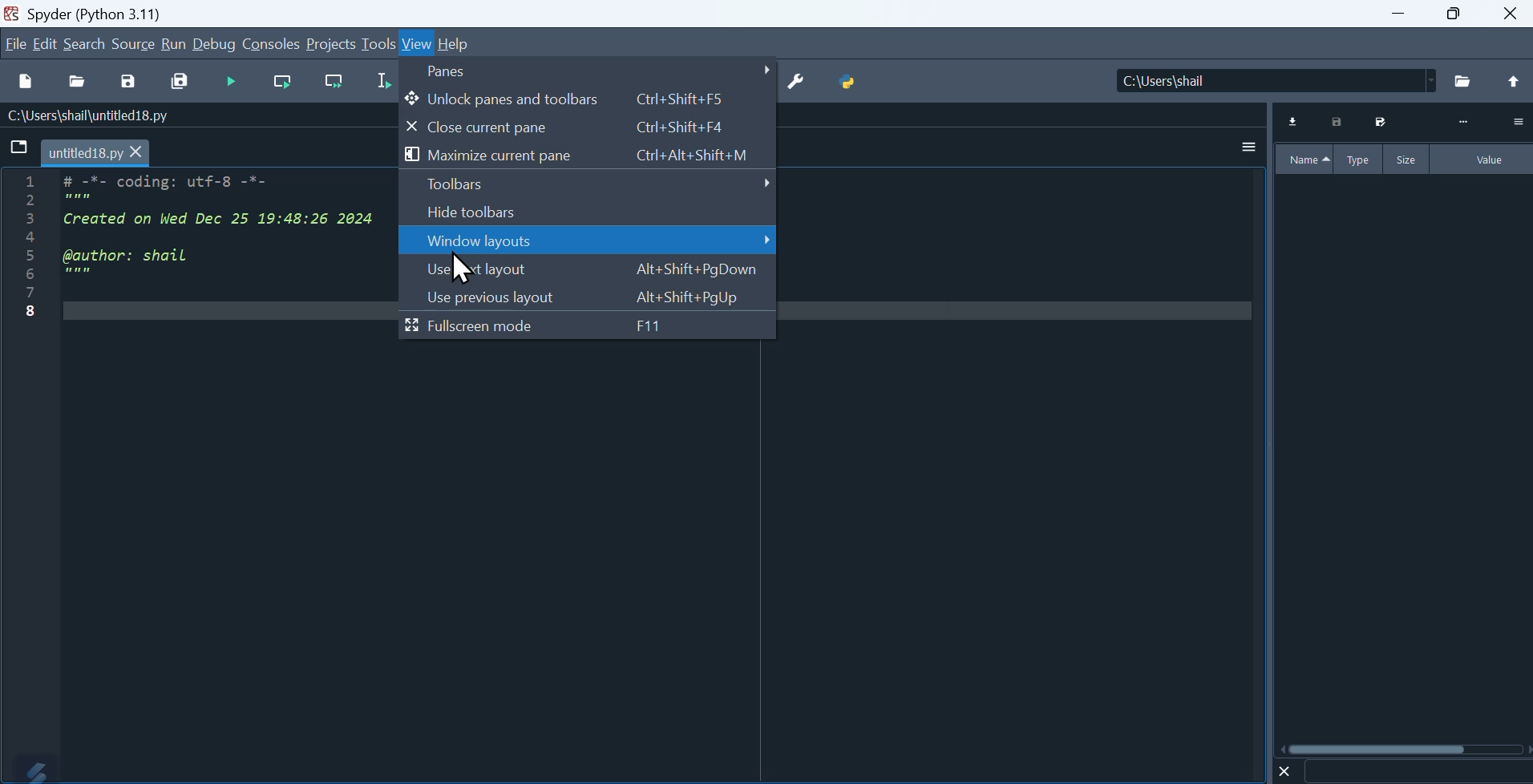 Image resolution: width=1533 pixels, height=784 pixels. I want to click on C:\user\shall, so click(1277, 80).